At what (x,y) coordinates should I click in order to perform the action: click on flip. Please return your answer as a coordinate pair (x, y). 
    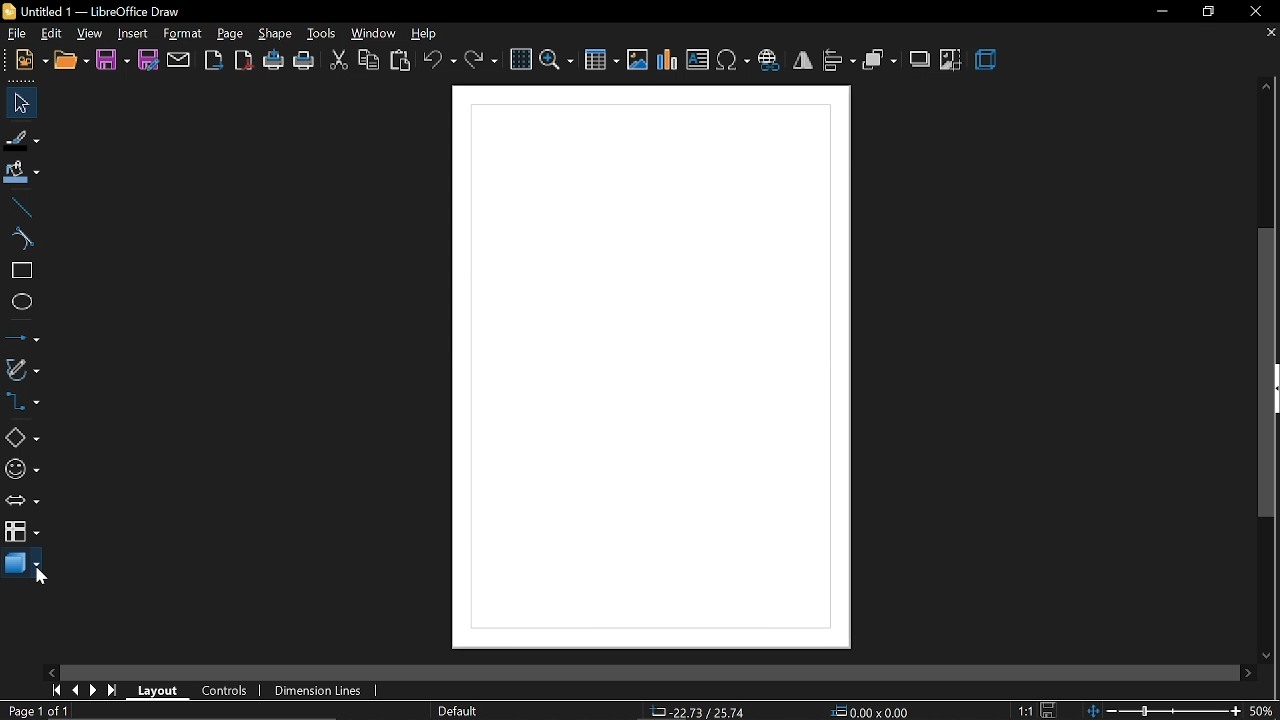
    Looking at the image, I should click on (803, 60).